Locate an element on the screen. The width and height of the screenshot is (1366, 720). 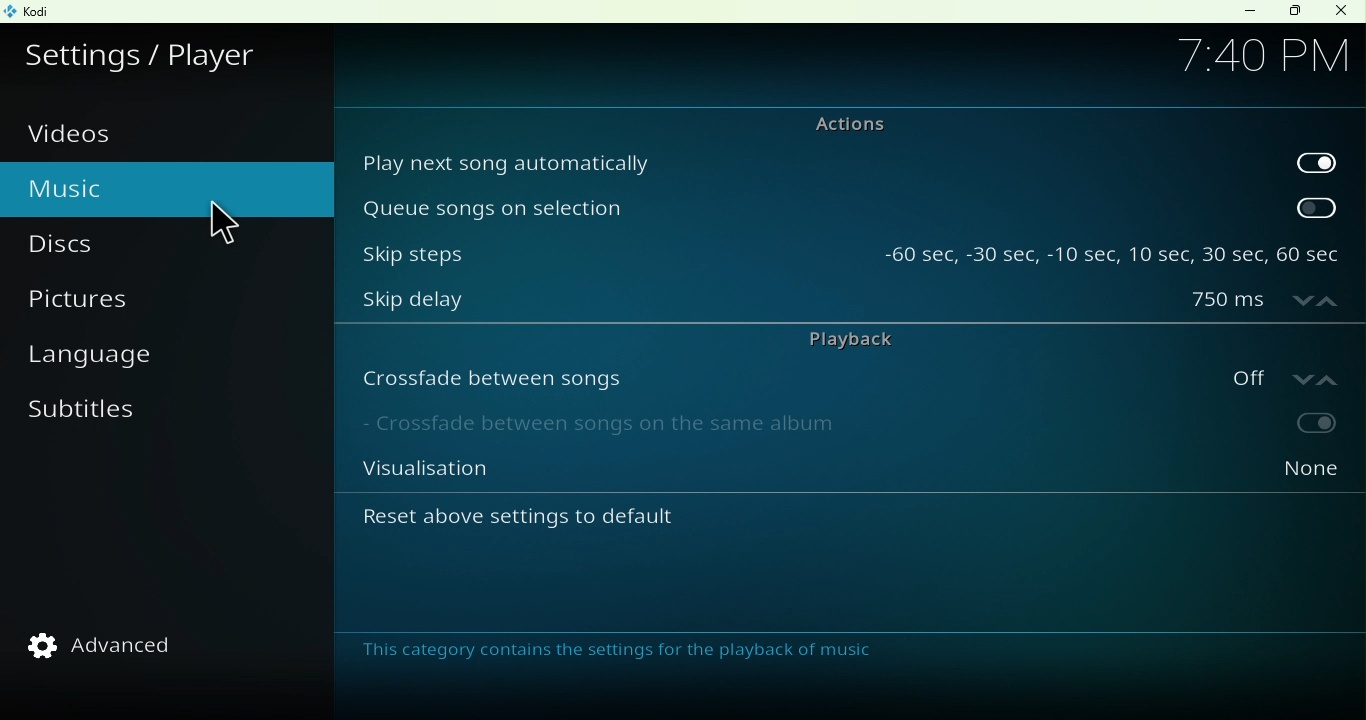
Visualization is located at coordinates (762, 475).